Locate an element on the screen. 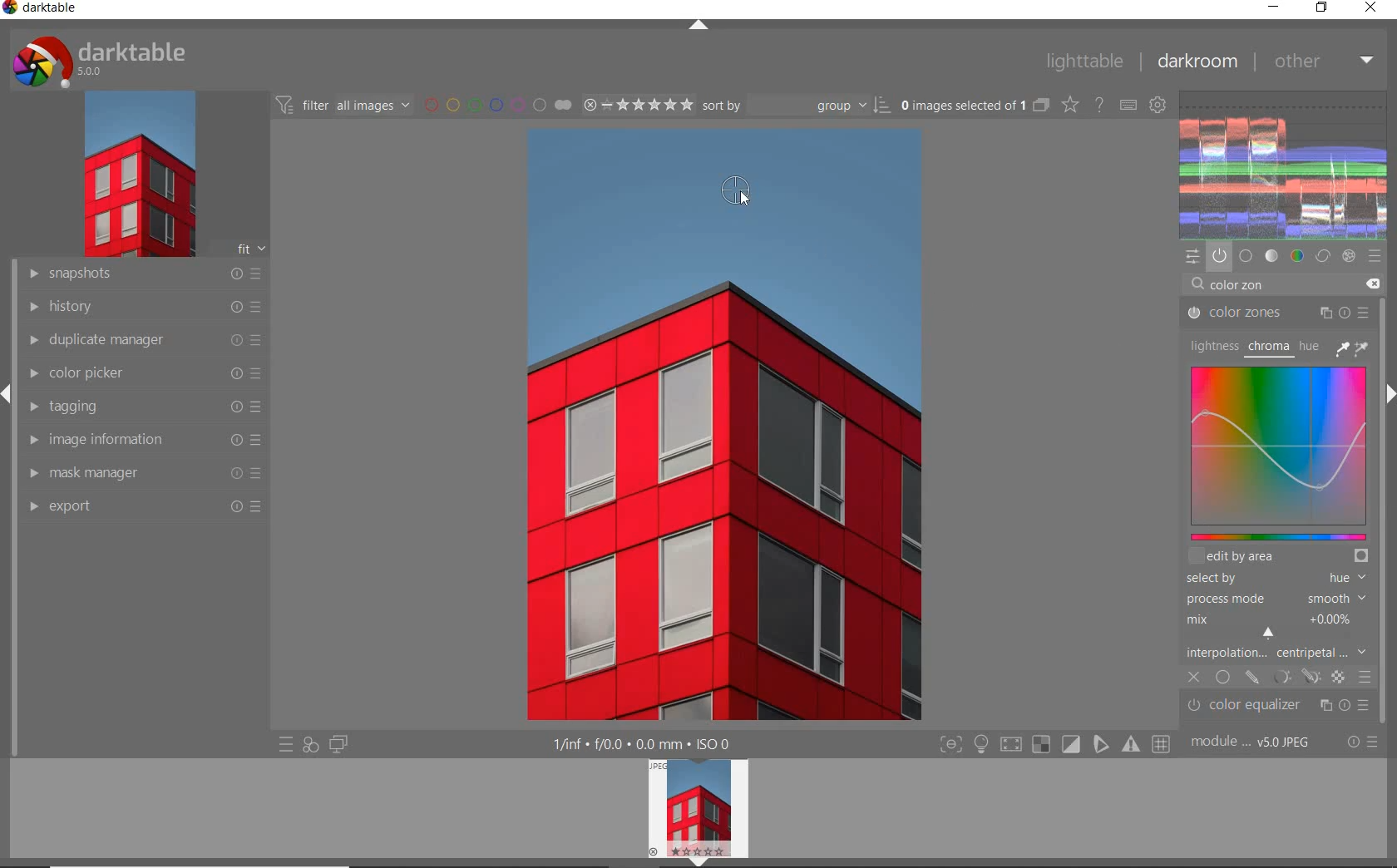 The width and height of the screenshot is (1397, 868). COLOR ZONES is located at coordinates (1278, 313).